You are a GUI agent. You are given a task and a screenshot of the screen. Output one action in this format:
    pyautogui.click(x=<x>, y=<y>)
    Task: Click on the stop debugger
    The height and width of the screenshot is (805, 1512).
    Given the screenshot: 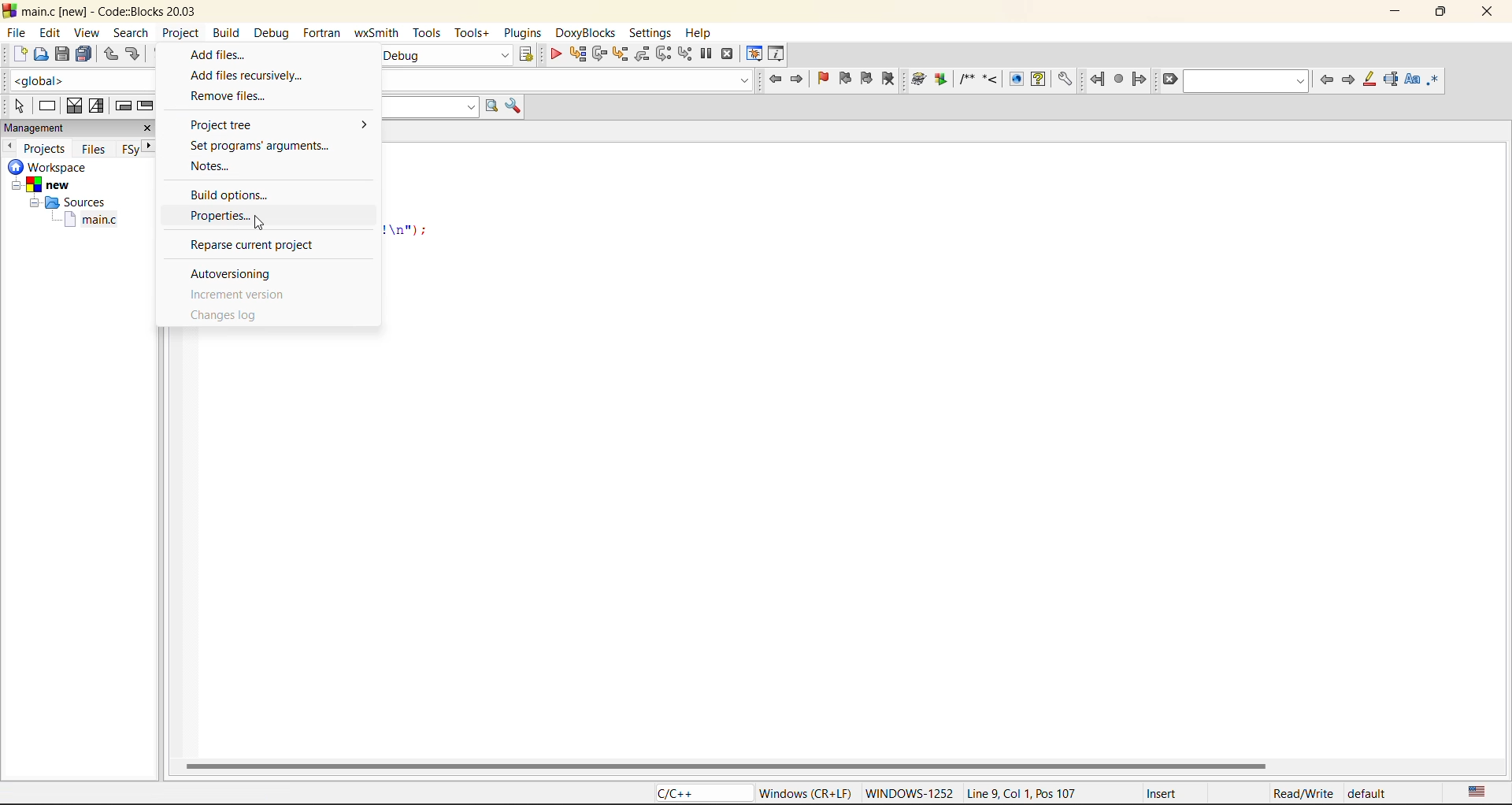 What is the action you would take?
    pyautogui.click(x=728, y=55)
    